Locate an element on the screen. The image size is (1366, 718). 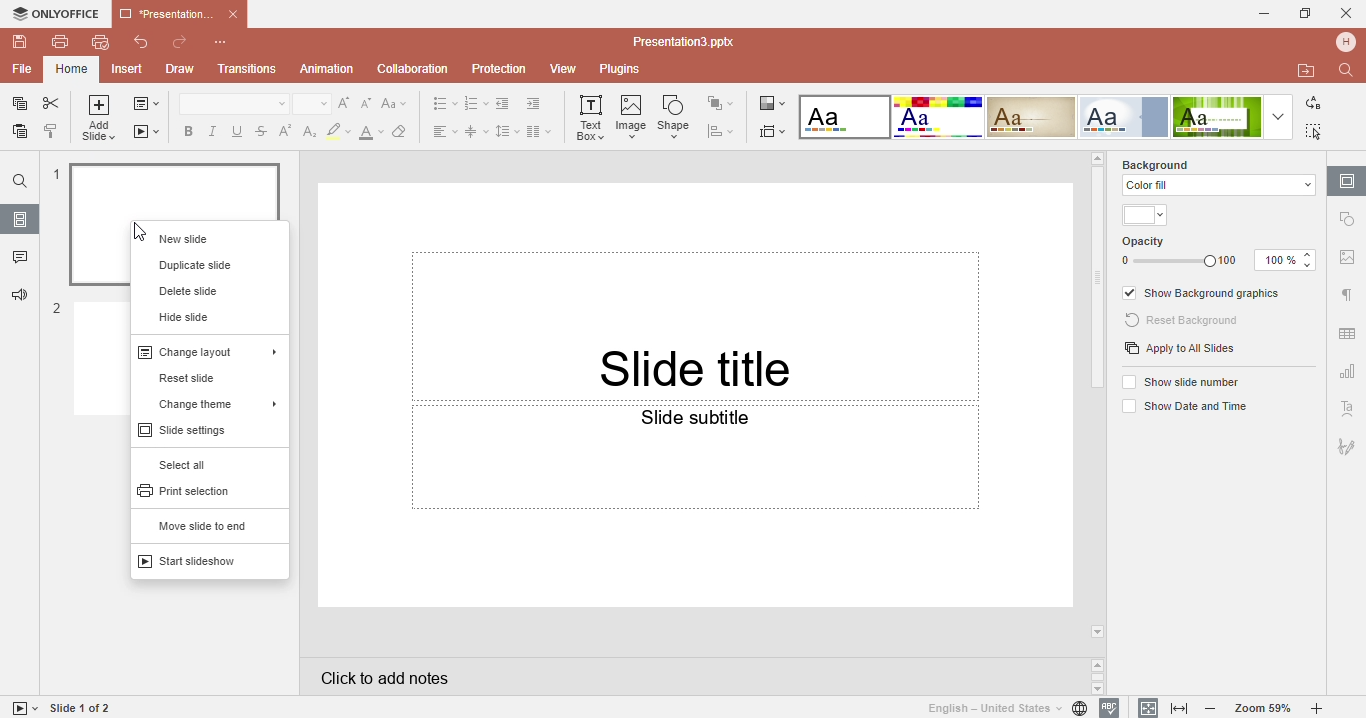
Document name is located at coordinates (178, 12).